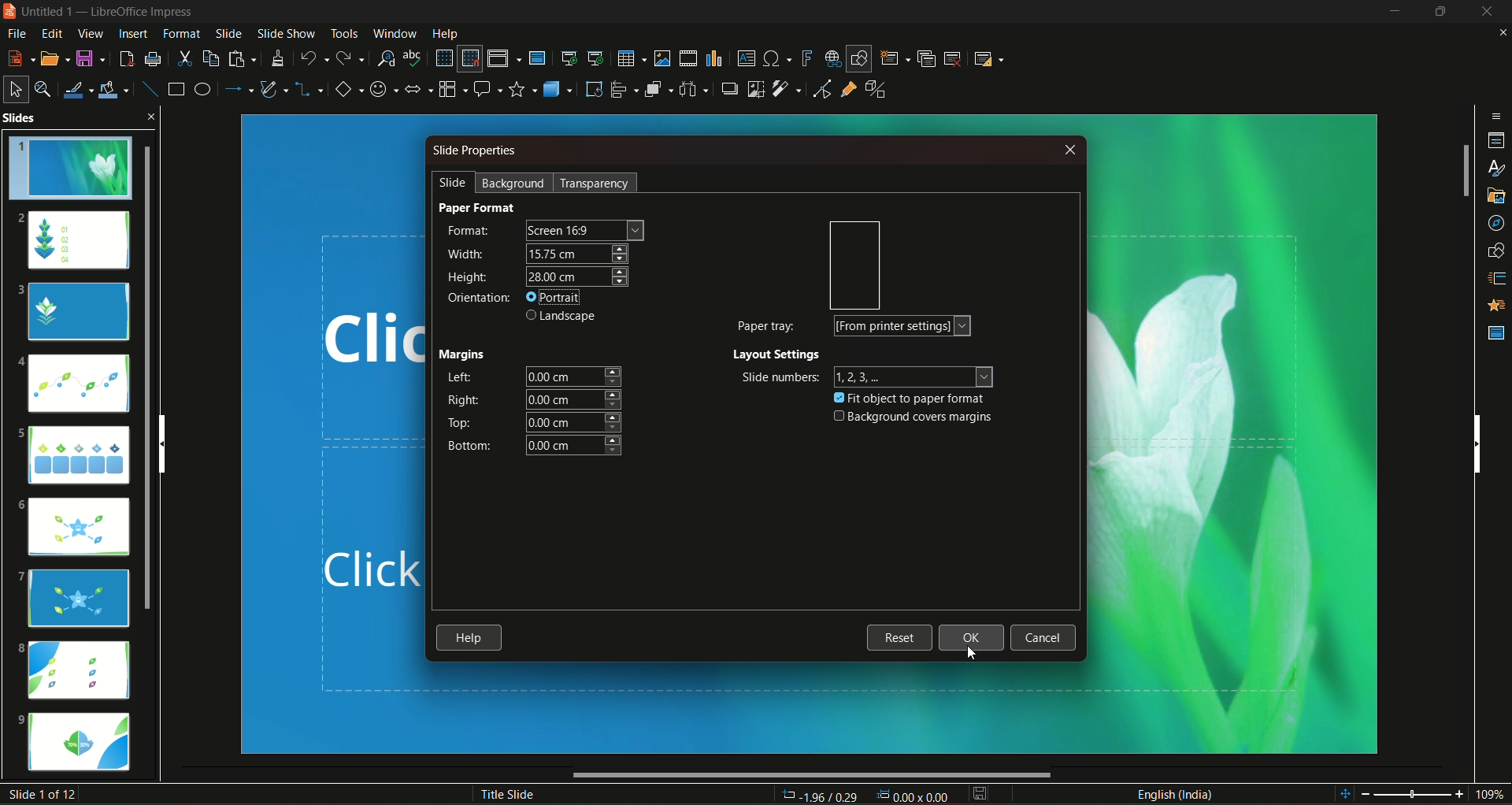 This screenshot has height=805, width=1512. What do you see at coordinates (820, 91) in the screenshot?
I see `toggle point edit` at bounding box center [820, 91].